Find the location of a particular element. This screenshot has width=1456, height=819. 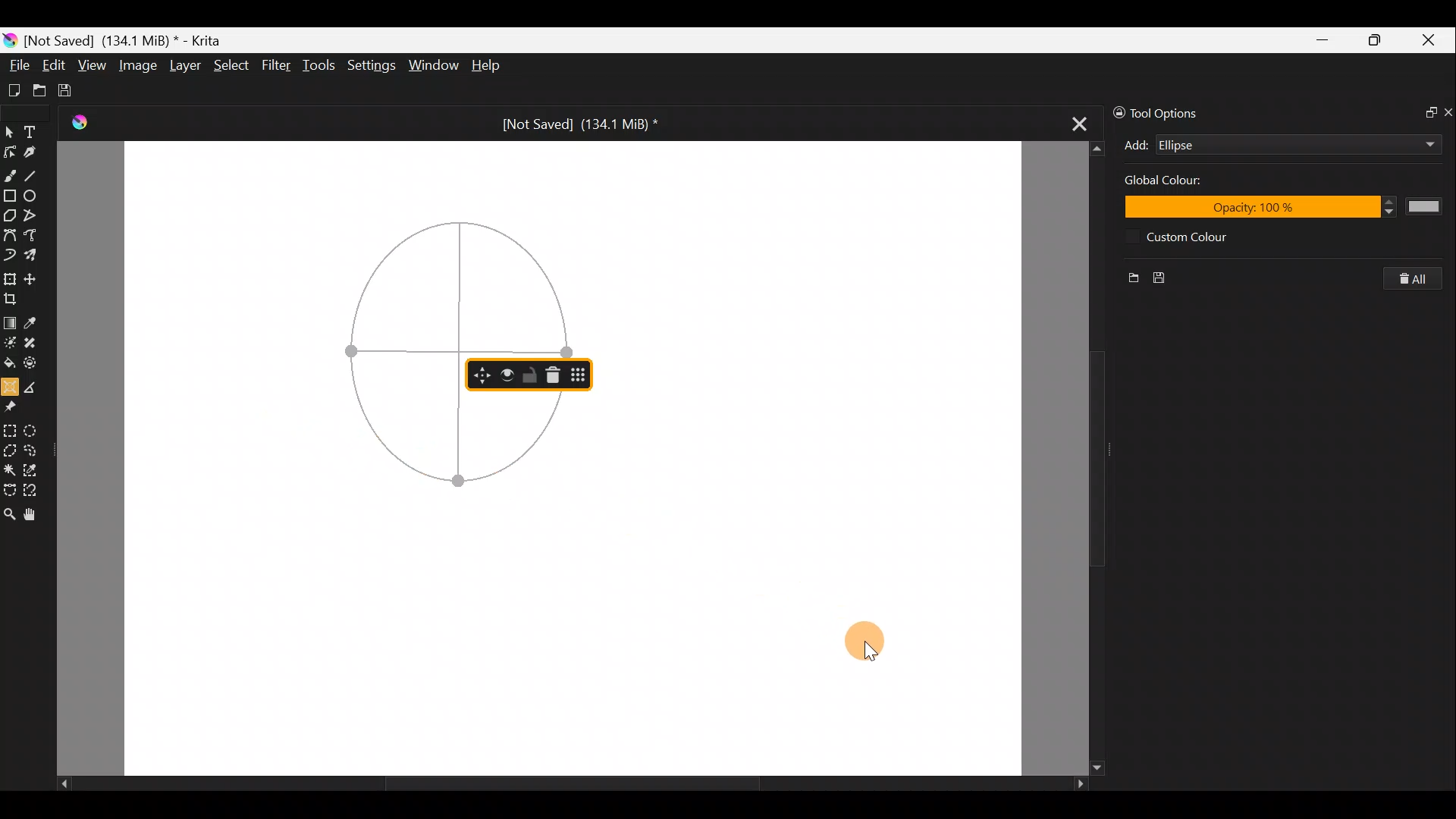

Add is located at coordinates (1136, 145).